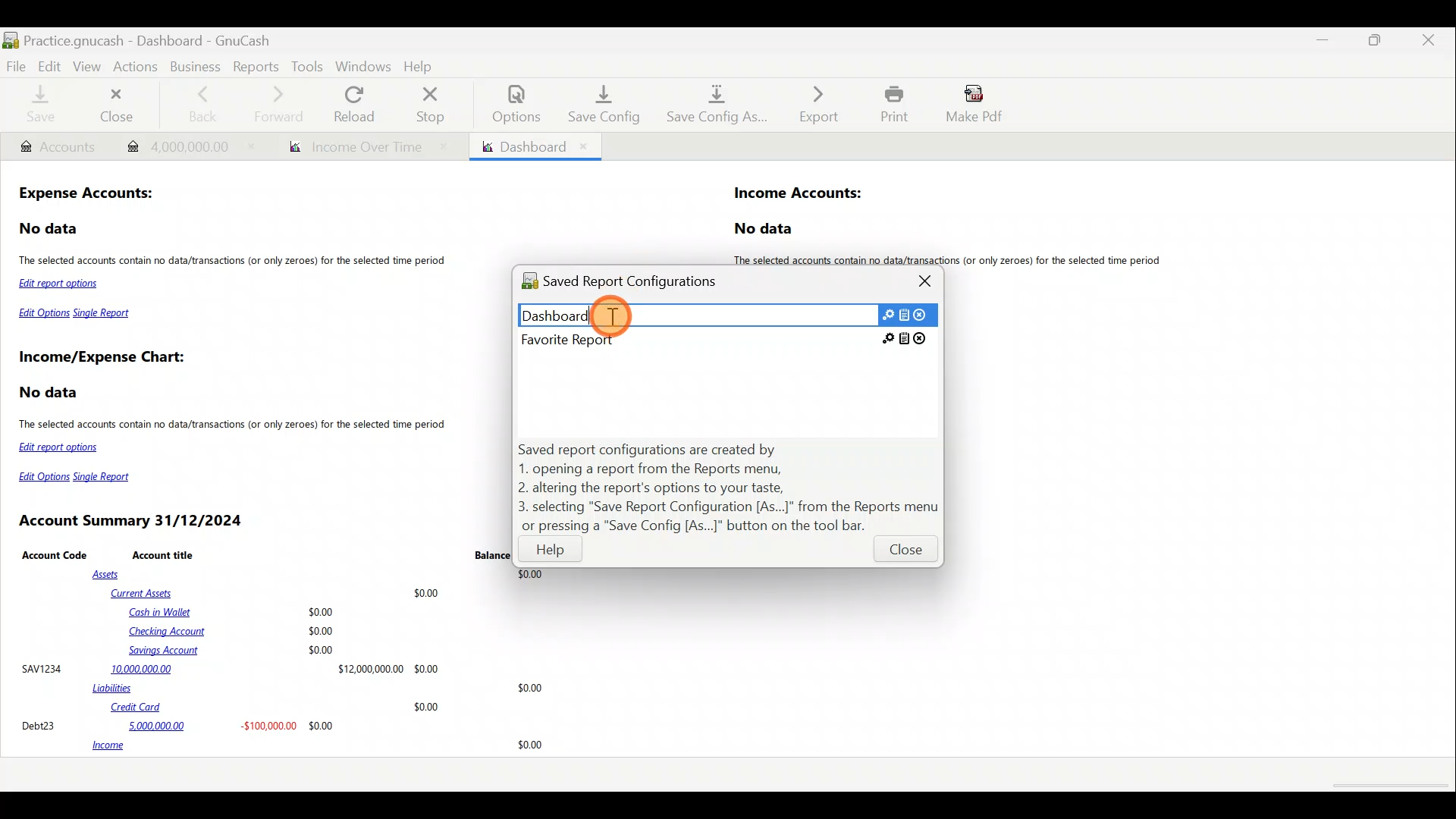  I want to click on Debt23 5,000,000.00 -$100,000.00 $0.00, so click(179, 725).